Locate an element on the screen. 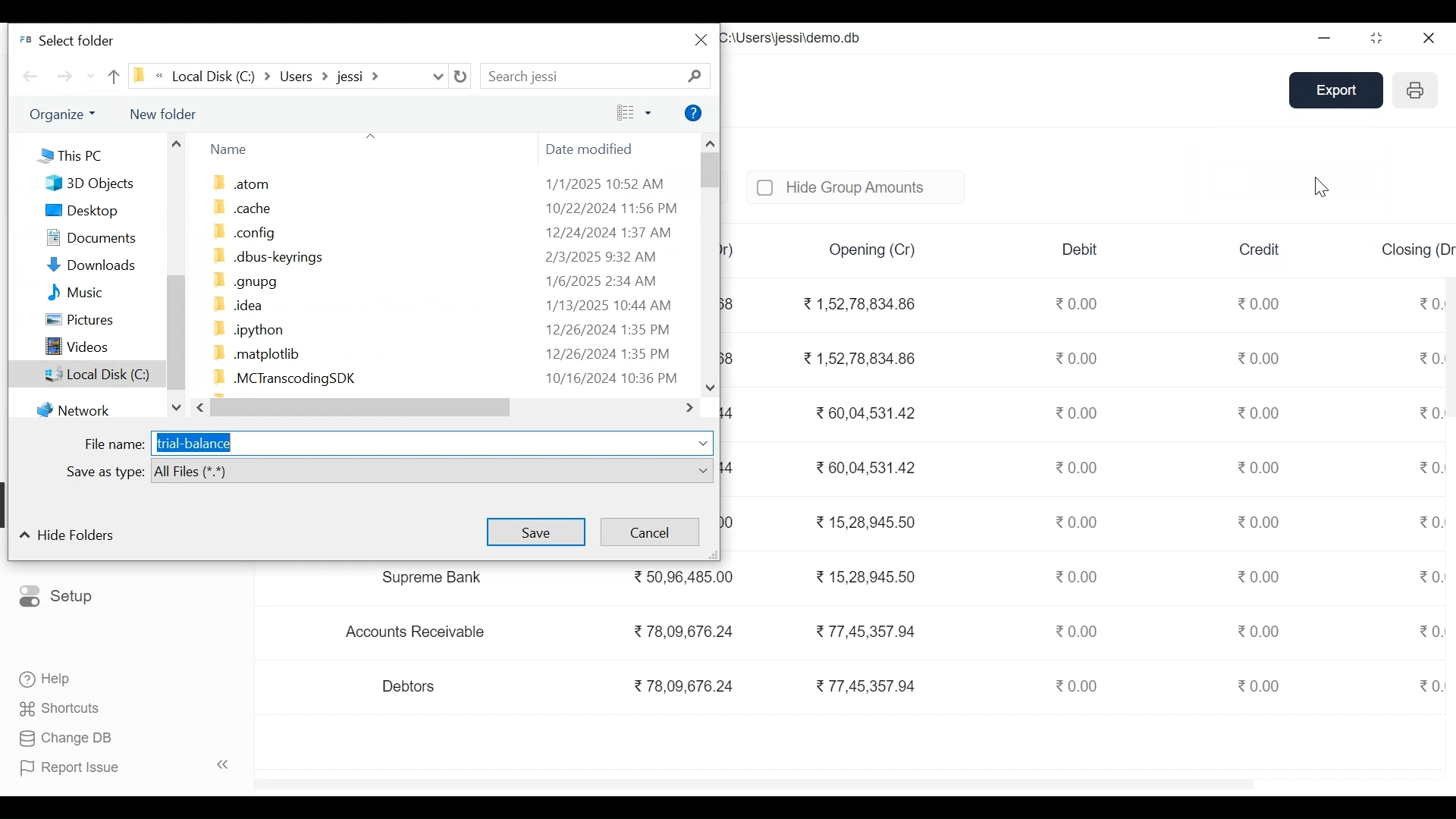 Image resolution: width=1456 pixels, height=819 pixels. Documents is located at coordinates (91, 238).